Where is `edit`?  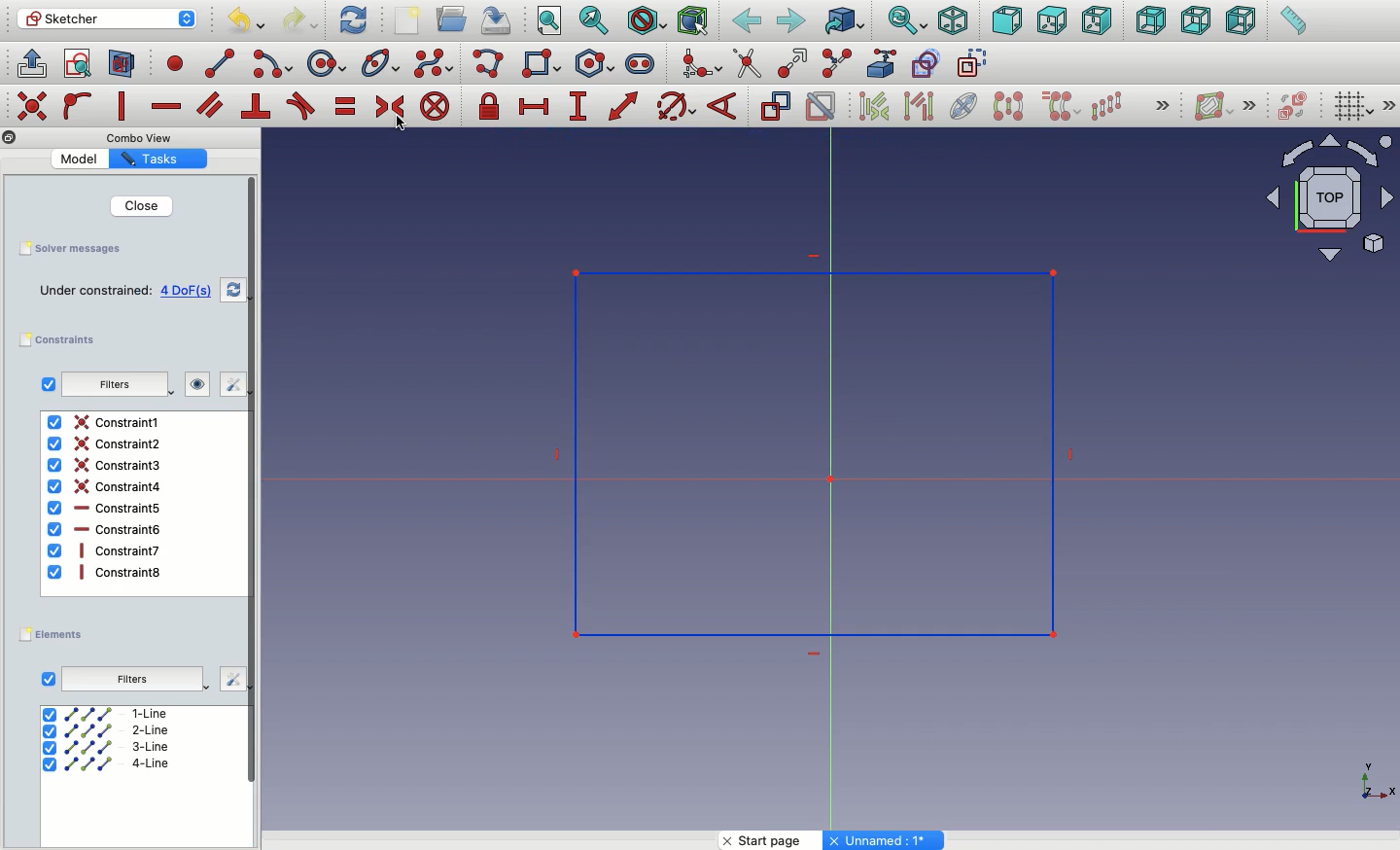
edit is located at coordinates (231, 679).